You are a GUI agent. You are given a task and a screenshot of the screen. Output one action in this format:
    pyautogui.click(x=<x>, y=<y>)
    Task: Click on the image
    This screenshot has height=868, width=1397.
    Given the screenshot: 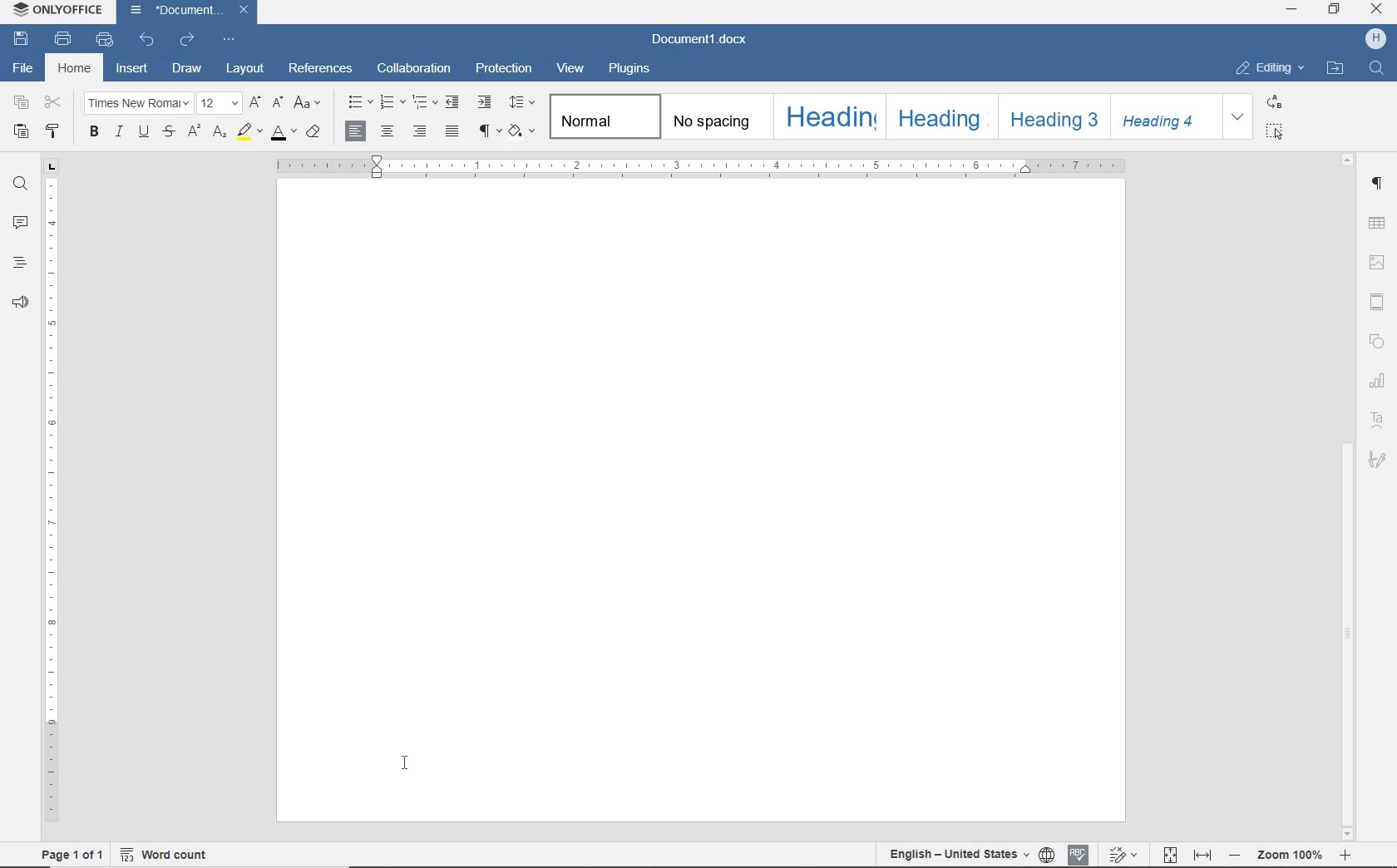 What is the action you would take?
    pyautogui.click(x=1378, y=259)
    